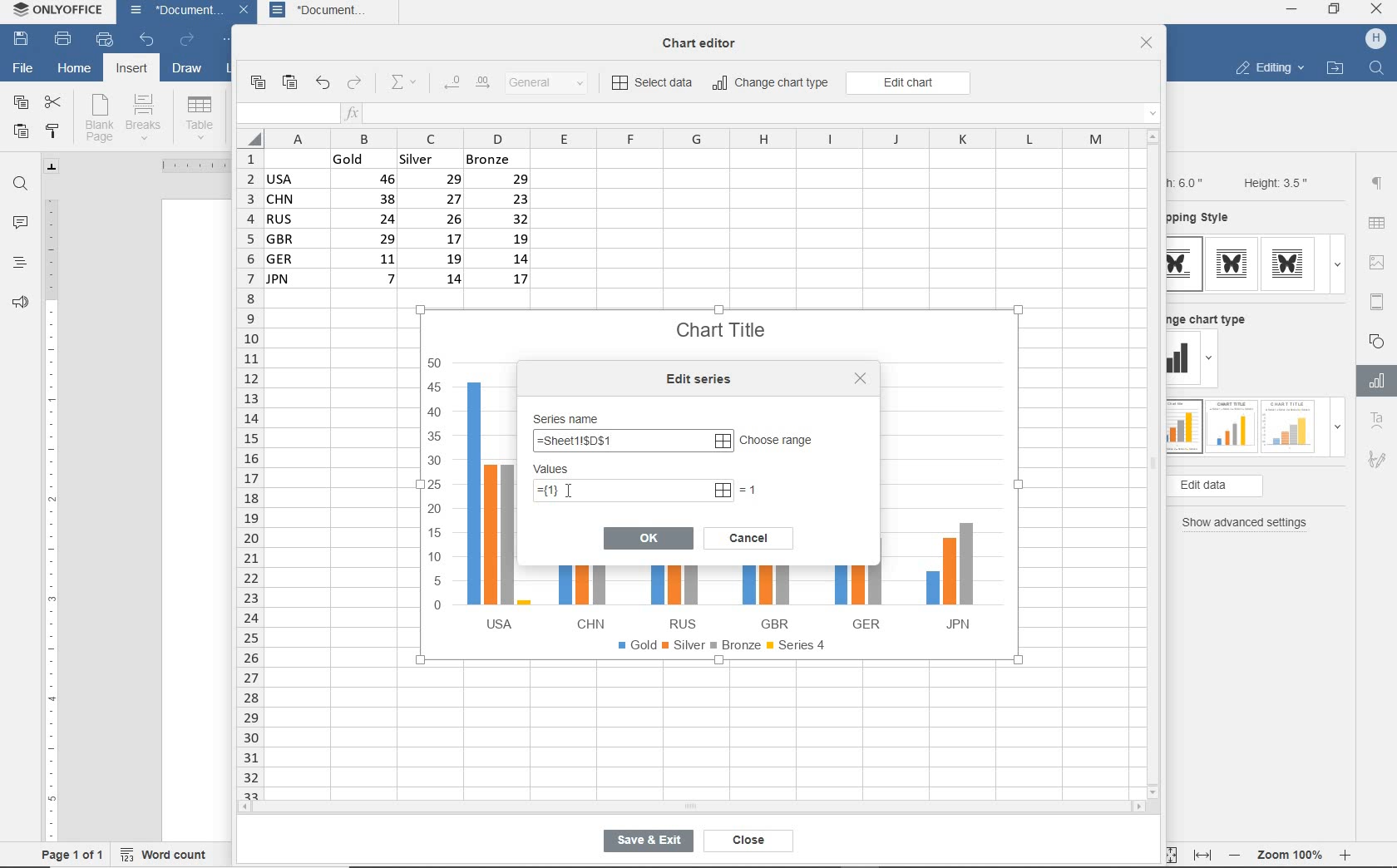 The height and width of the screenshot is (868, 1397). What do you see at coordinates (54, 131) in the screenshot?
I see `copy style` at bounding box center [54, 131].